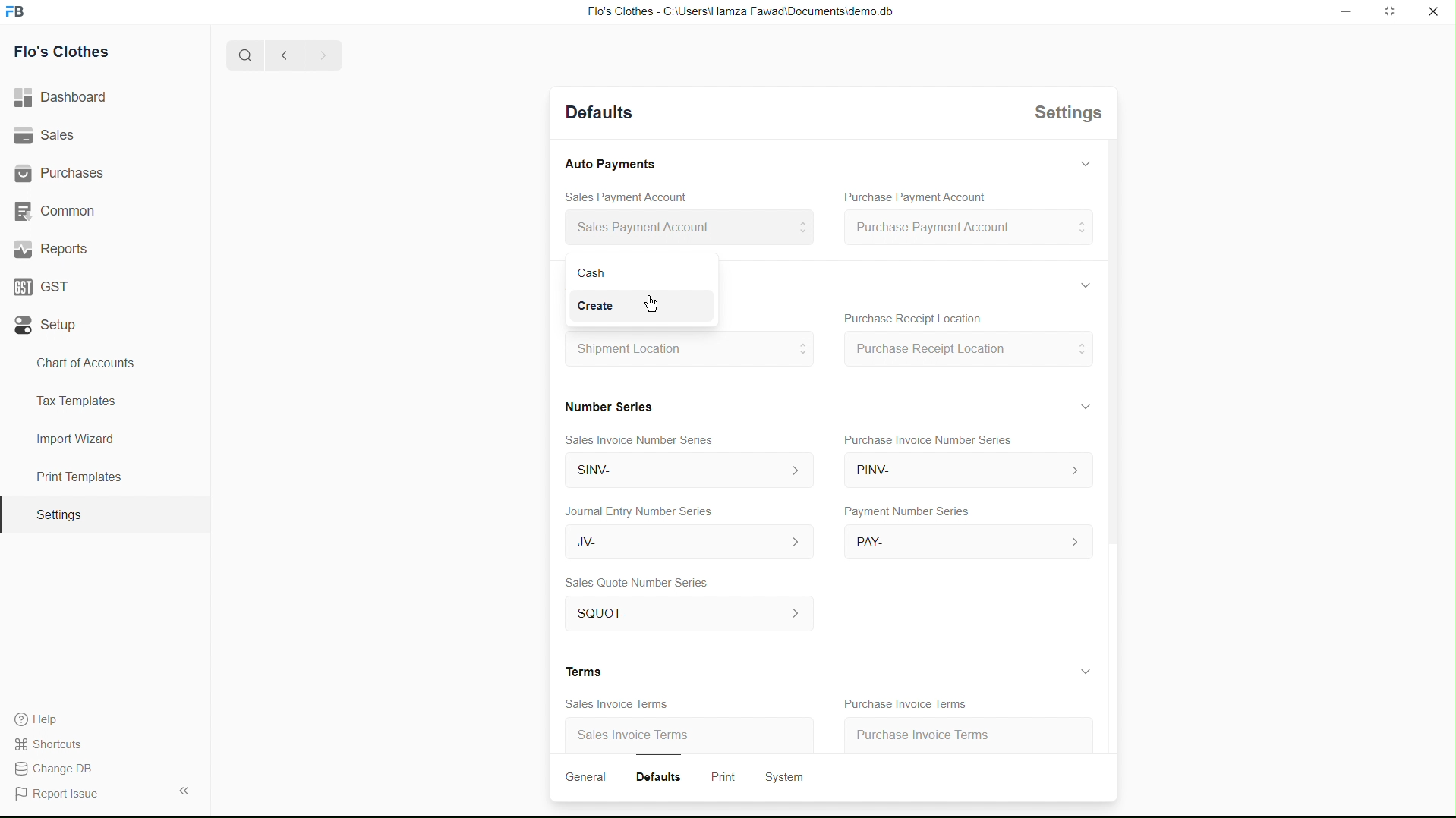 The image size is (1456, 818). What do you see at coordinates (911, 319) in the screenshot?
I see `Purchase Receipt Location` at bounding box center [911, 319].